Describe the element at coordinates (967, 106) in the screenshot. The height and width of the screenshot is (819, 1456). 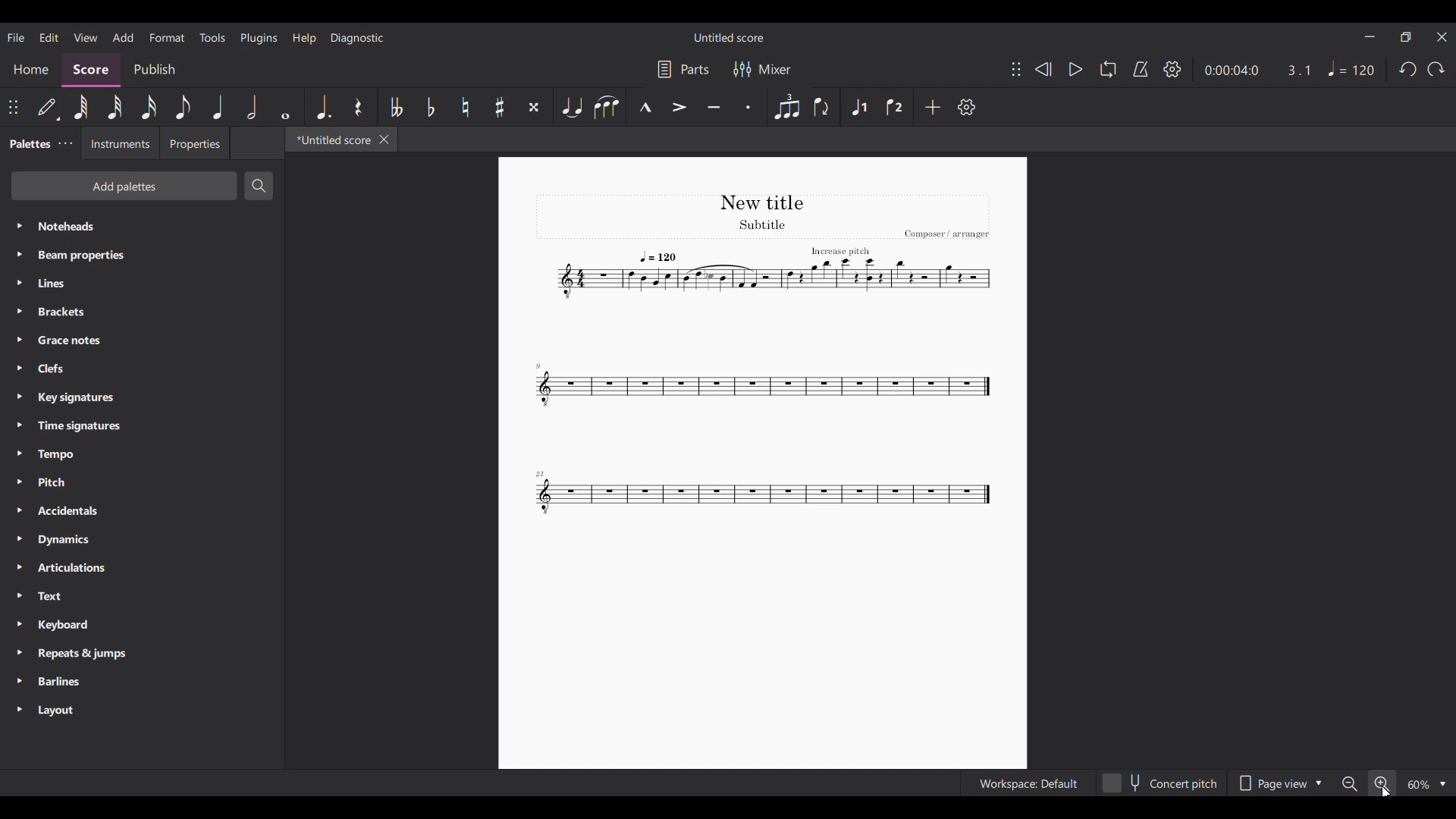
I see `Settings` at that location.